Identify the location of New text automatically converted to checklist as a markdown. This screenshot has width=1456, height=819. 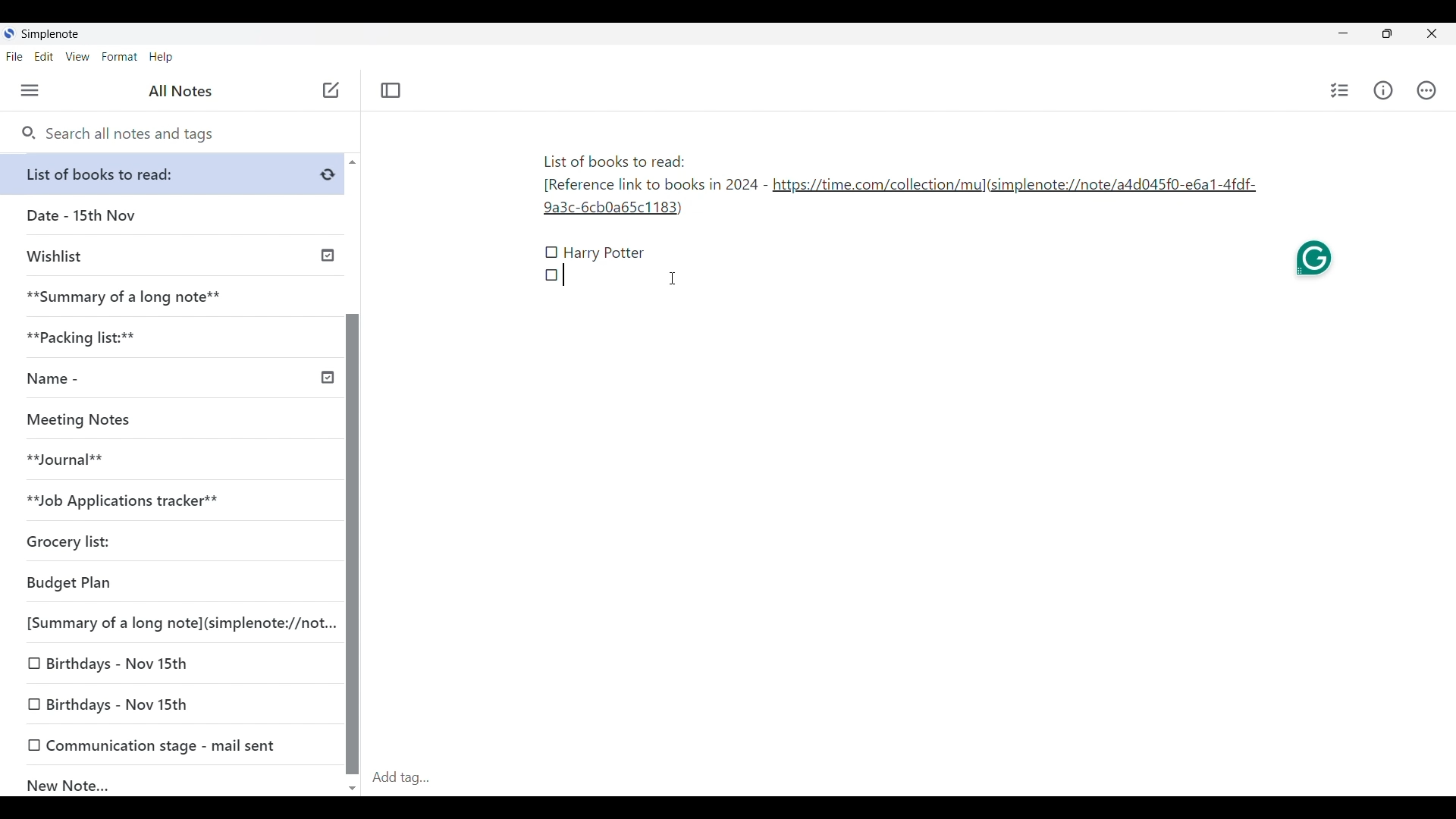
(552, 253).